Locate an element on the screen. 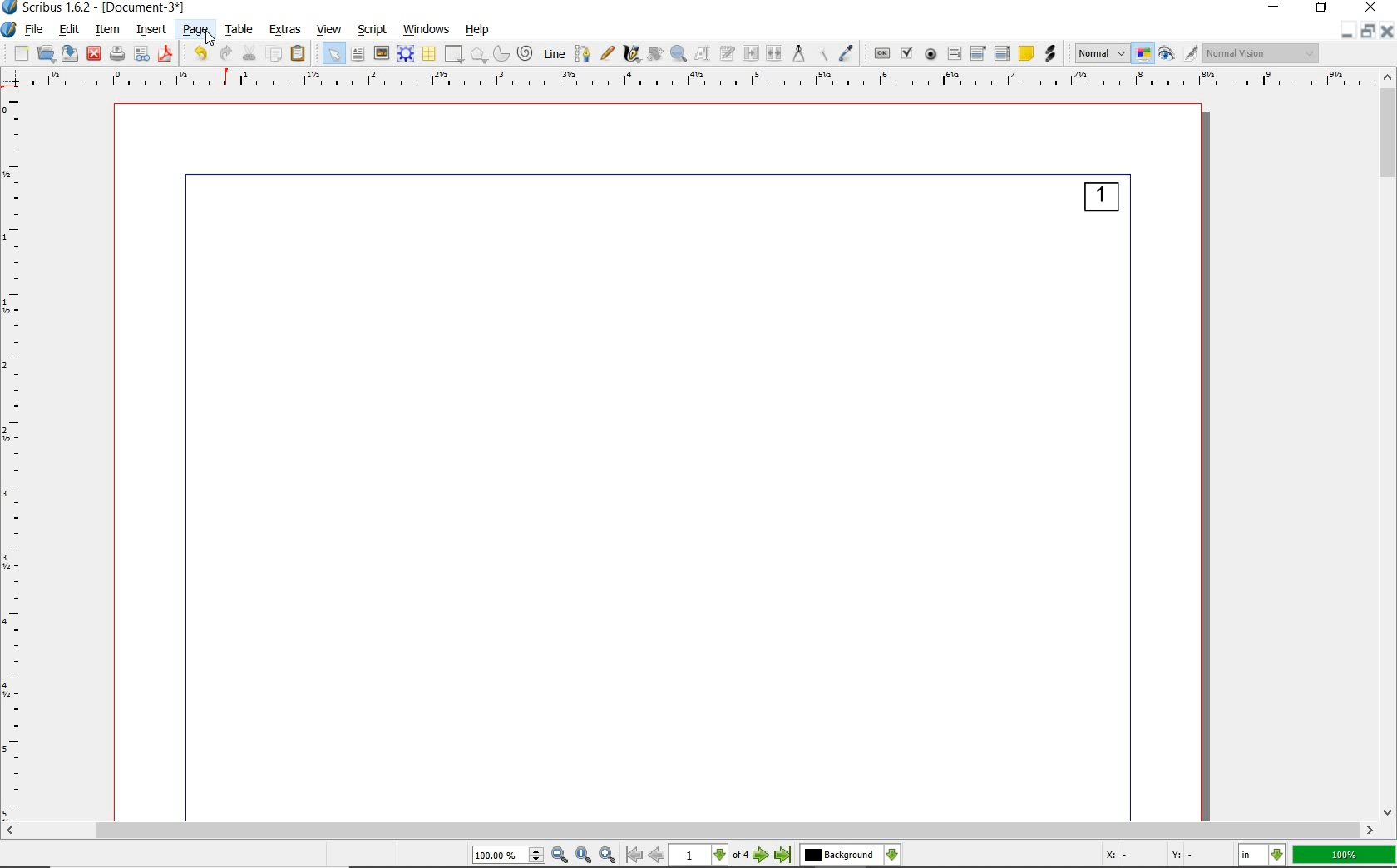 This screenshot has width=1397, height=868. Bezier curve is located at coordinates (582, 53).